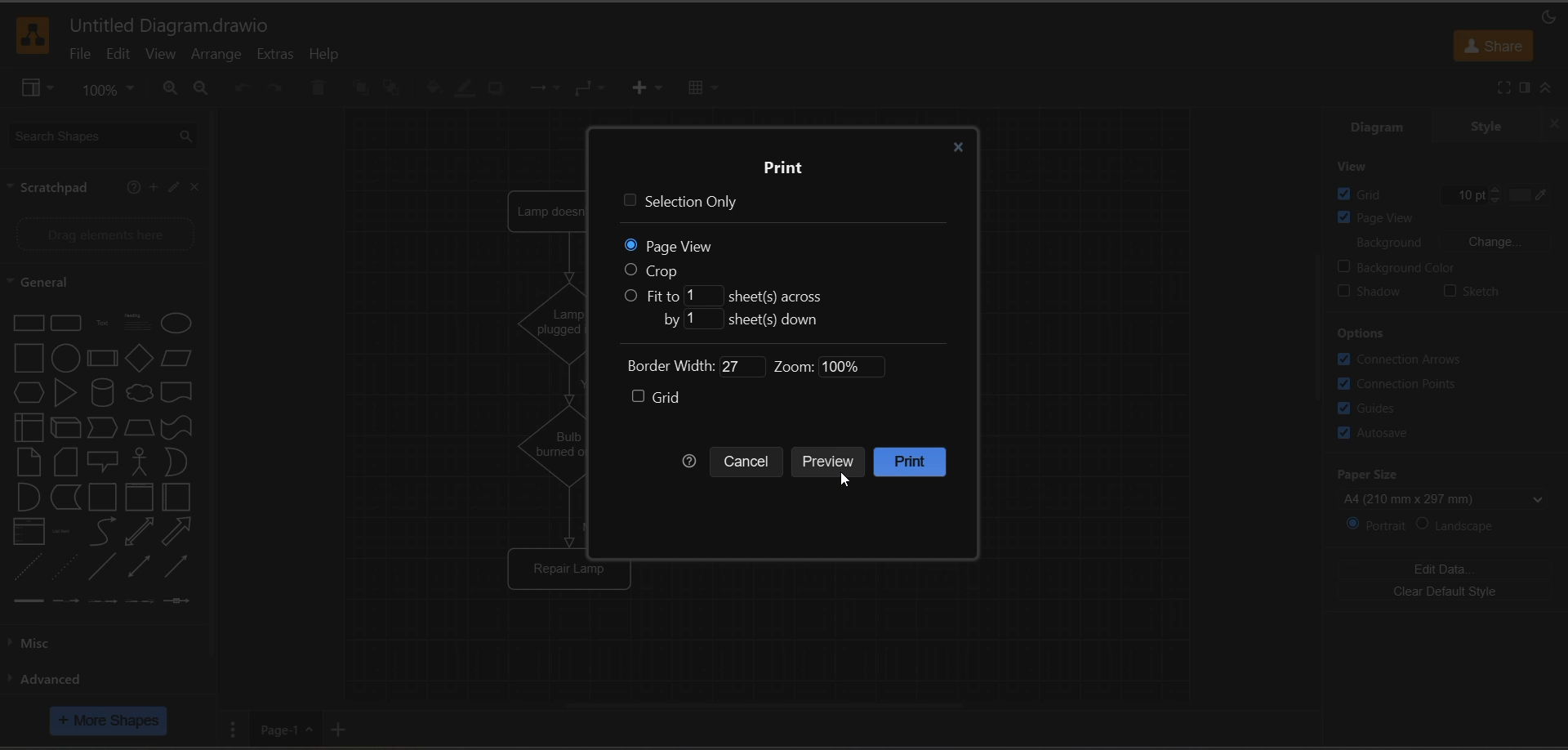 This screenshot has height=750, width=1568. What do you see at coordinates (656, 397) in the screenshot?
I see `grid` at bounding box center [656, 397].